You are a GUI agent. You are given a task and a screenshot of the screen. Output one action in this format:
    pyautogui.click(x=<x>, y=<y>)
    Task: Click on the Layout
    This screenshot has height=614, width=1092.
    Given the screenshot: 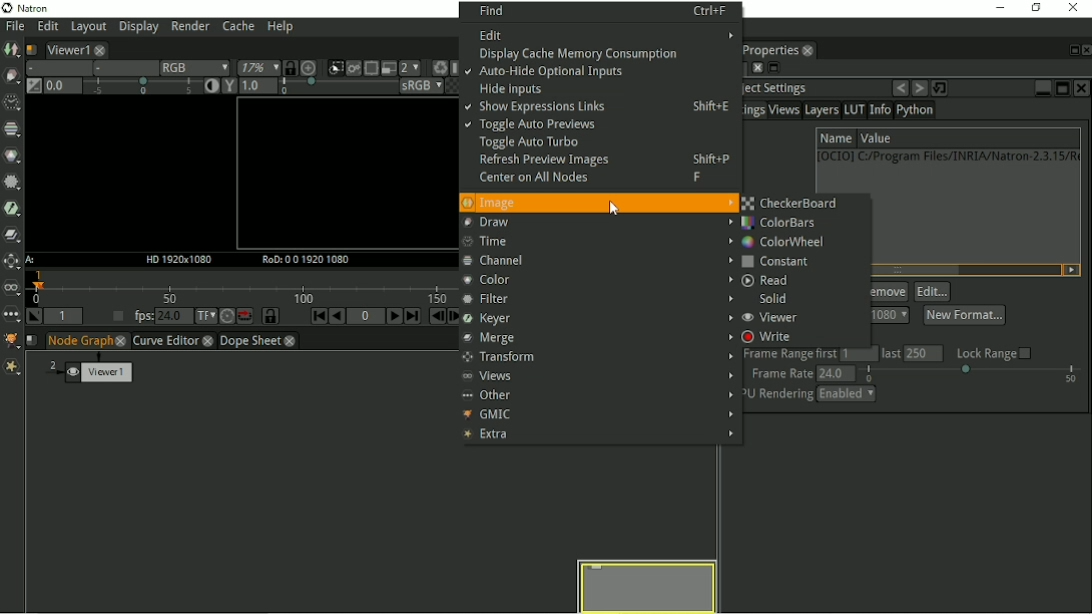 What is the action you would take?
    pyautogui.click(x=88, y=27)
    